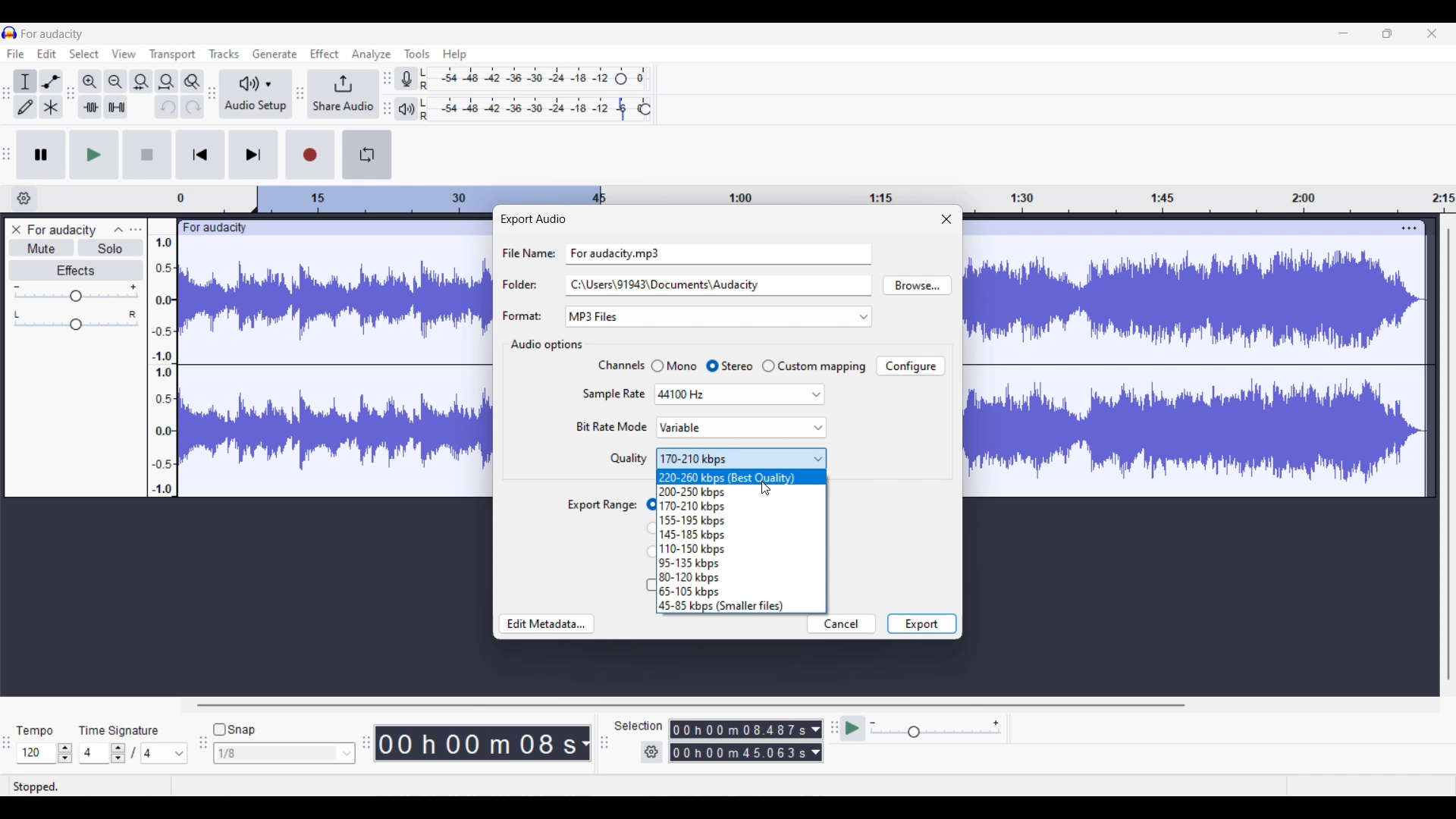  I want to click on Select menu, so click(84, 54).